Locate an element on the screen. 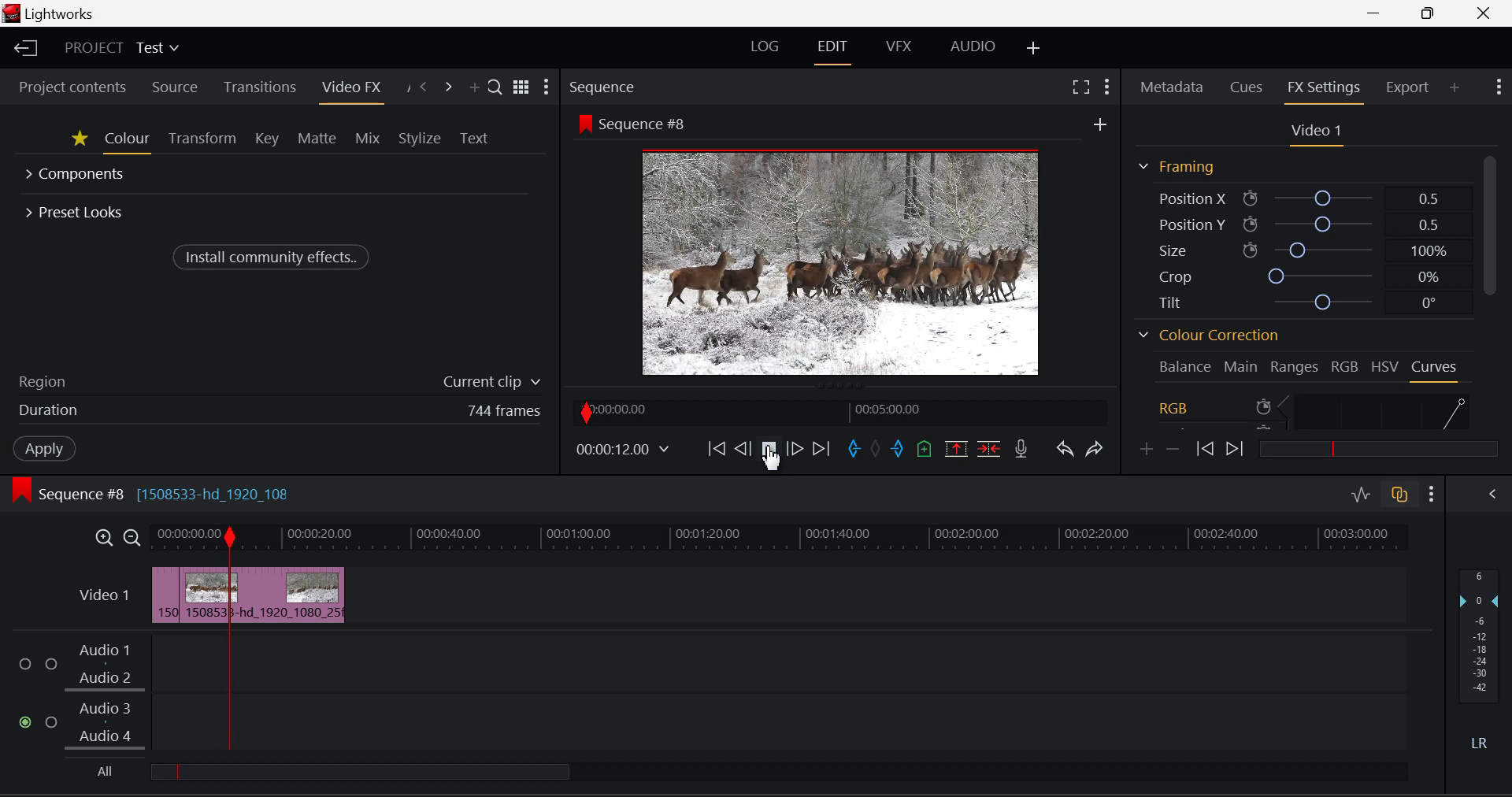 The image size is (1512, 797). Add Panel is located at coordinates (1455, 87).